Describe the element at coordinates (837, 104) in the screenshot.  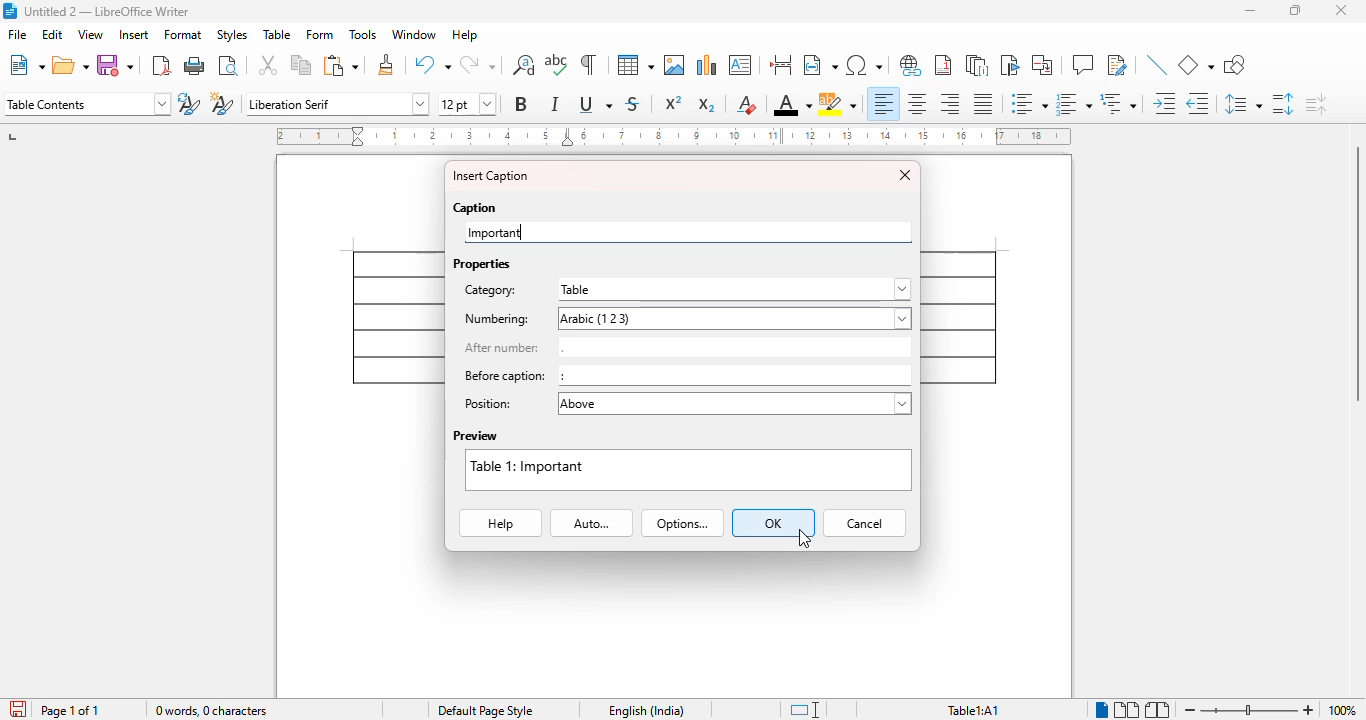
I see `character highlighting color` at that location.